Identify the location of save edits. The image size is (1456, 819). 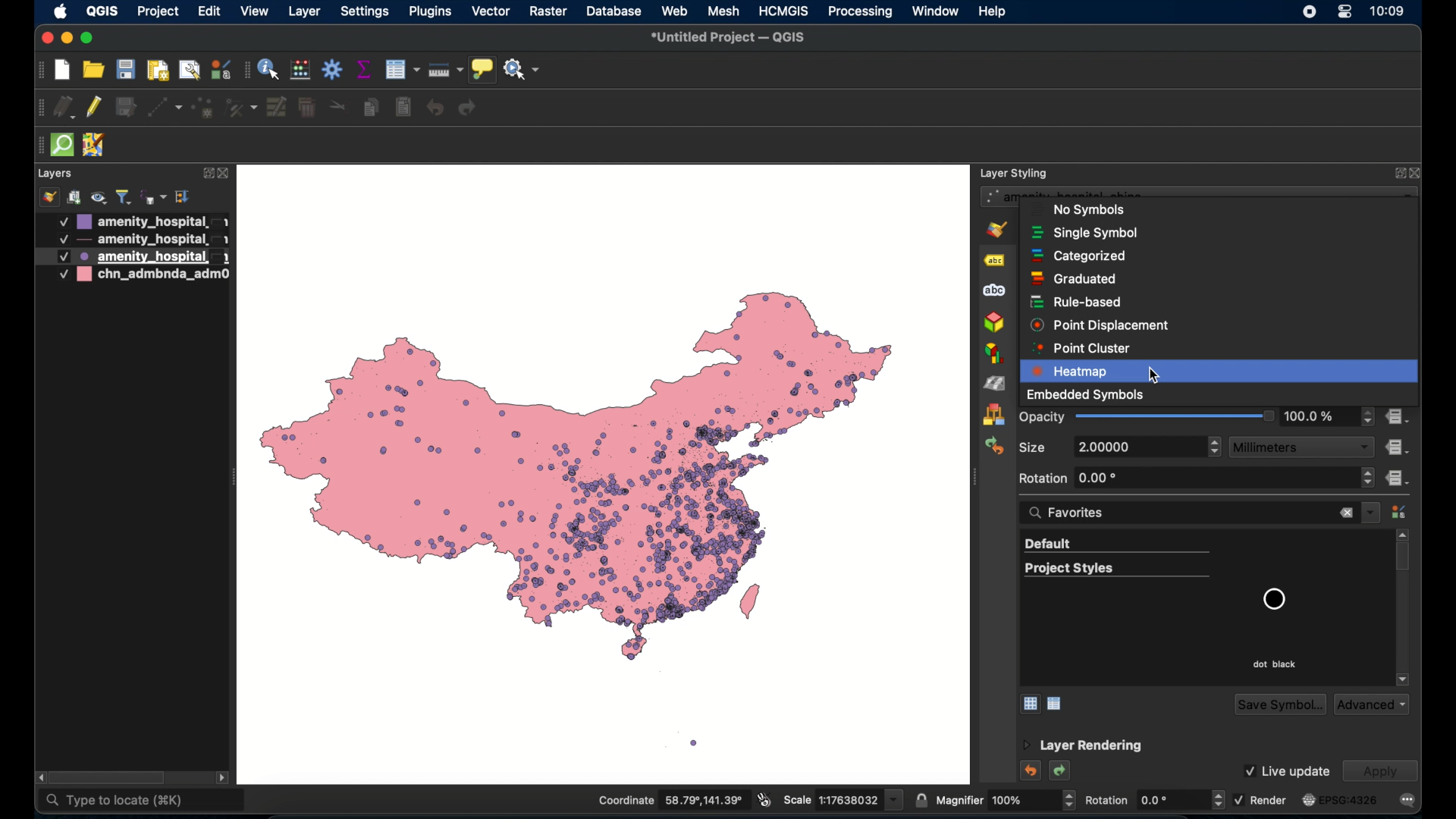
(127, 108).